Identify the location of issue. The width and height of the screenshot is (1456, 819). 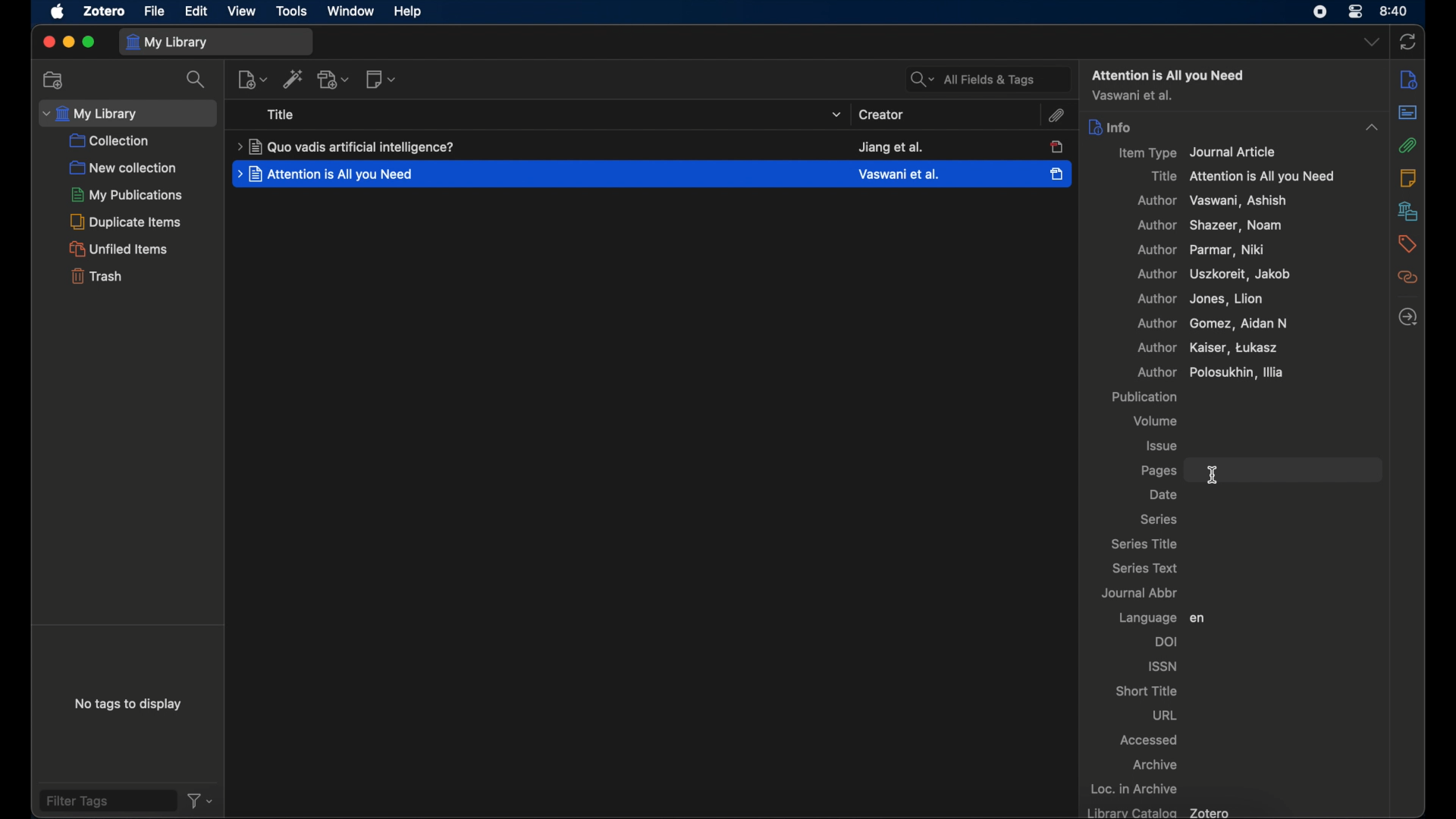
(1163, 445).